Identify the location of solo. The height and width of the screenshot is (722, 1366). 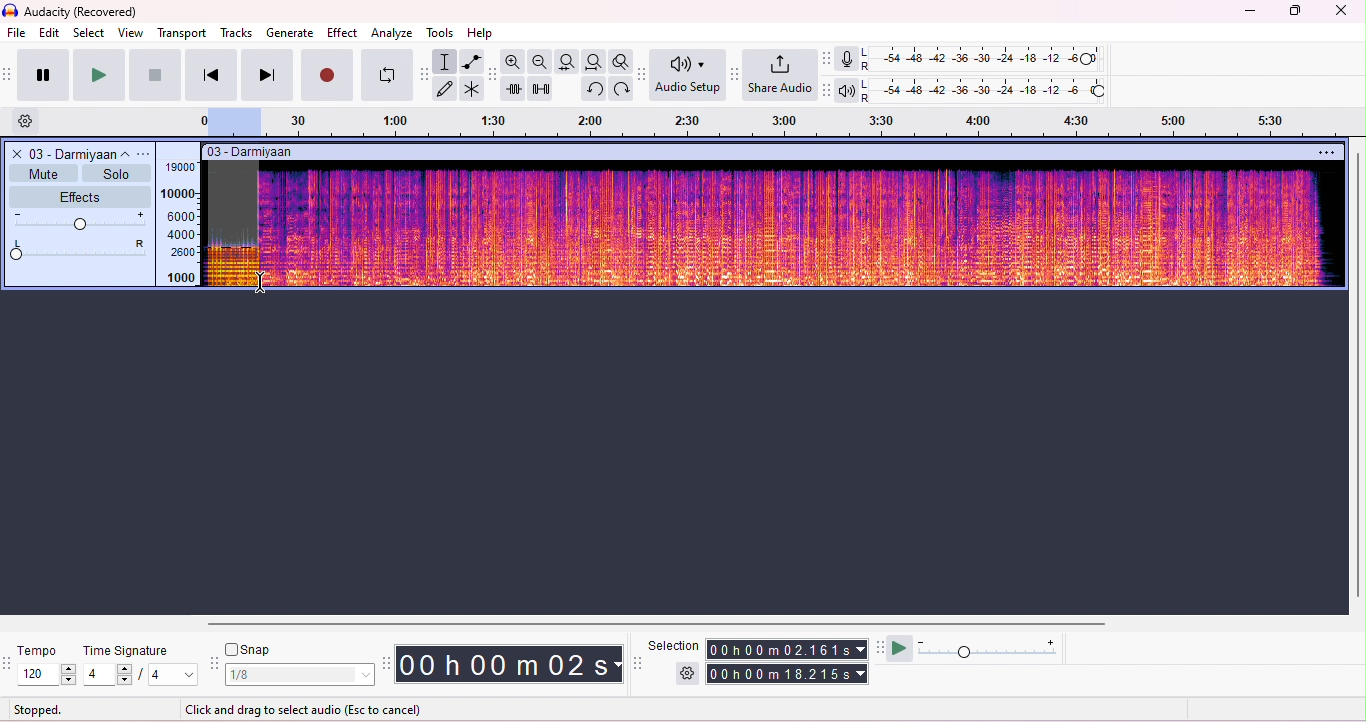
(116, 173).